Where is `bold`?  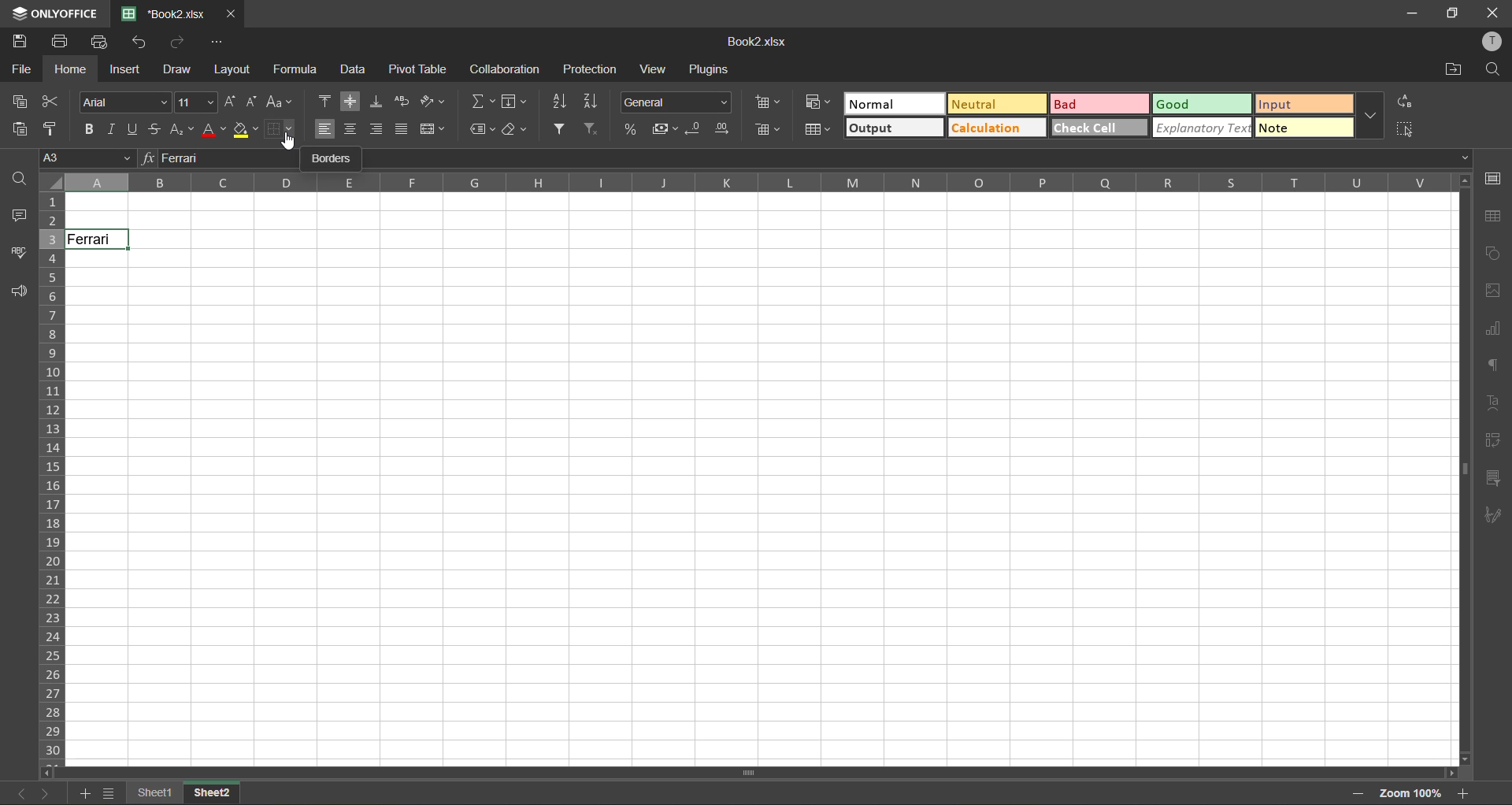 bold is located at coordinates (87, 130).